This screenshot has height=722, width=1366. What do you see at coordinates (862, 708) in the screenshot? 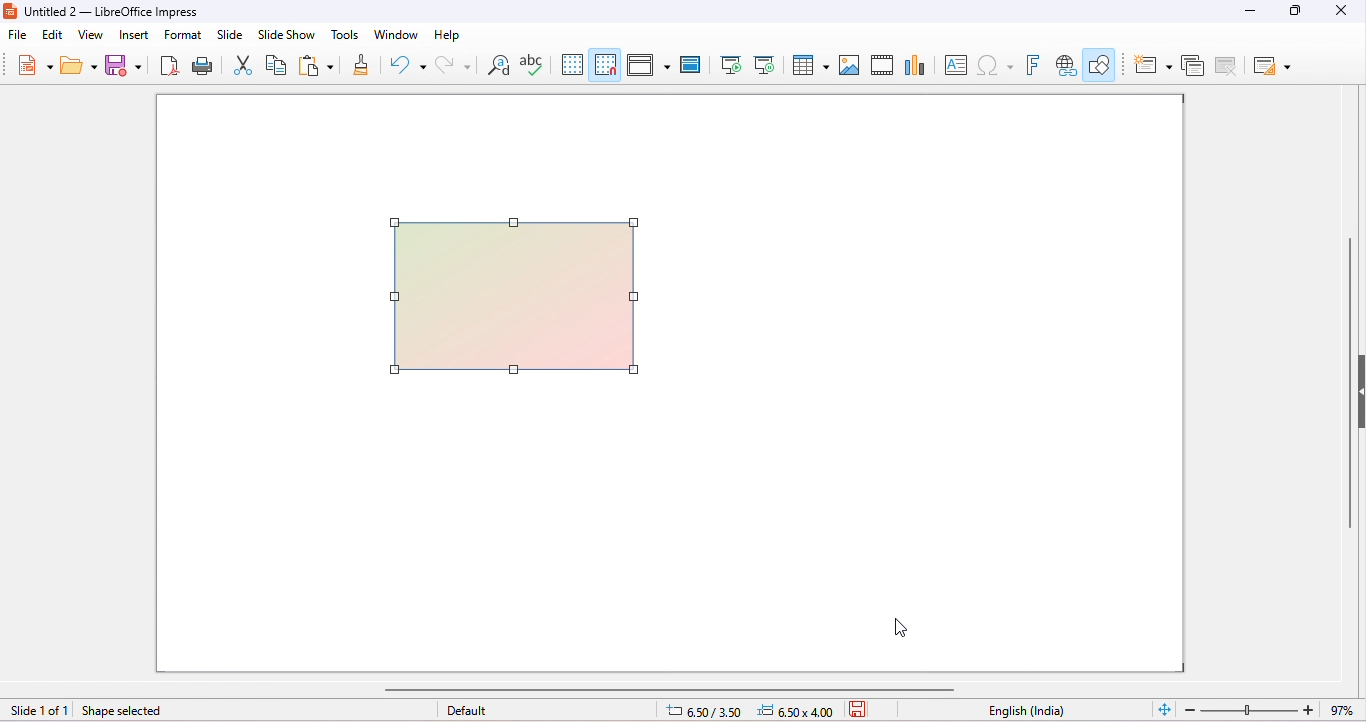
I see `save` at bounding box center [862, 708].